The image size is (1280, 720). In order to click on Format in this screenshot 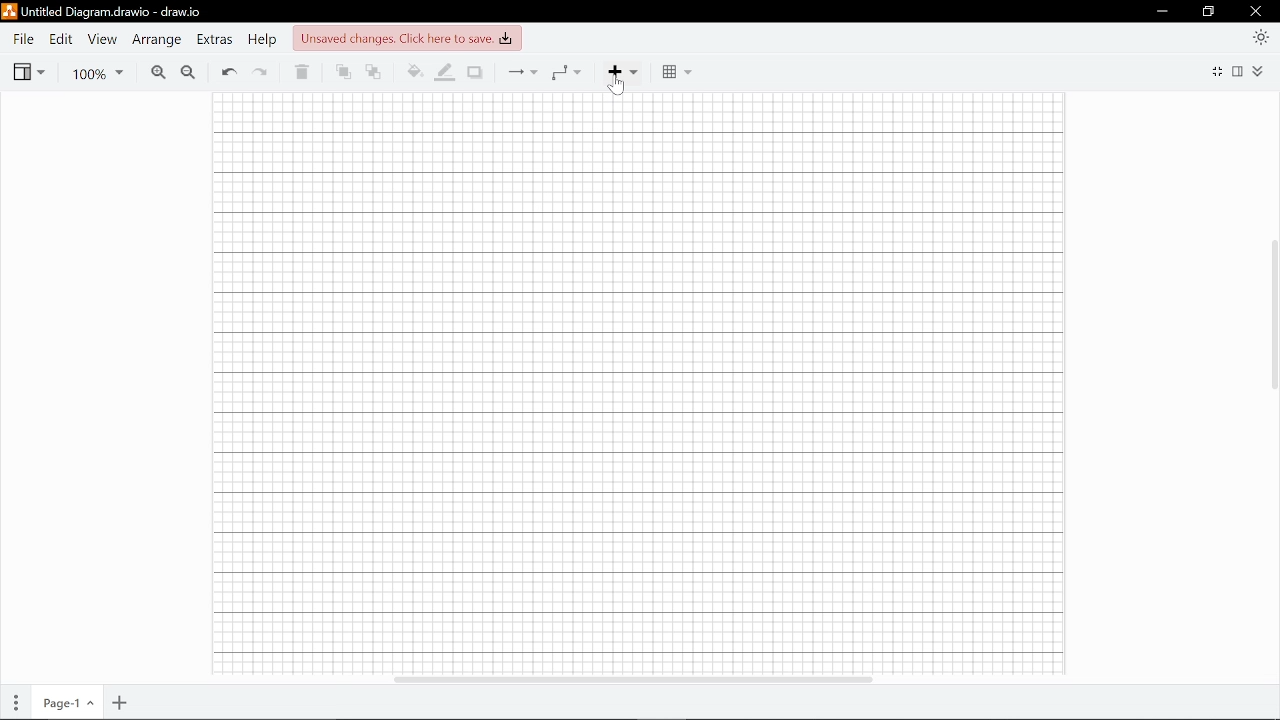, I will do `click(1238, 73)`.